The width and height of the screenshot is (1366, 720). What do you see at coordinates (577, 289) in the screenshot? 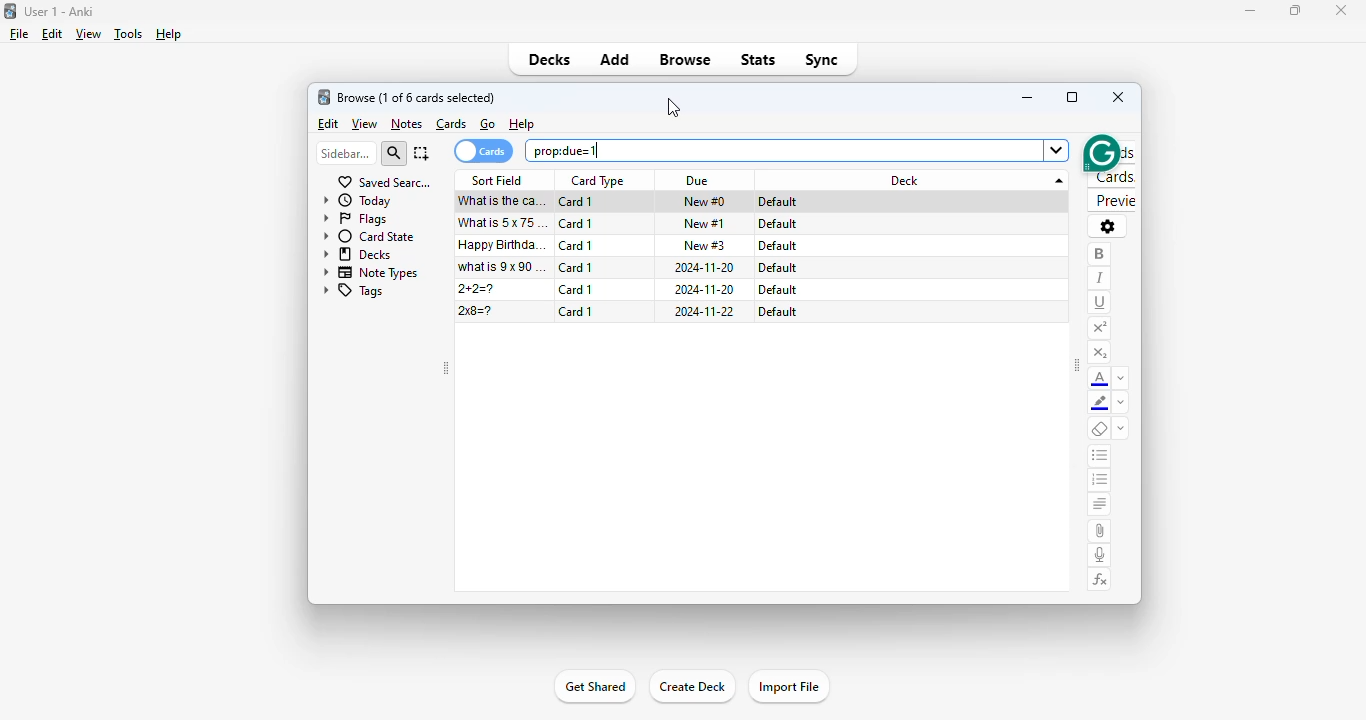
I see `card 1` at bounding box center [577, 289].